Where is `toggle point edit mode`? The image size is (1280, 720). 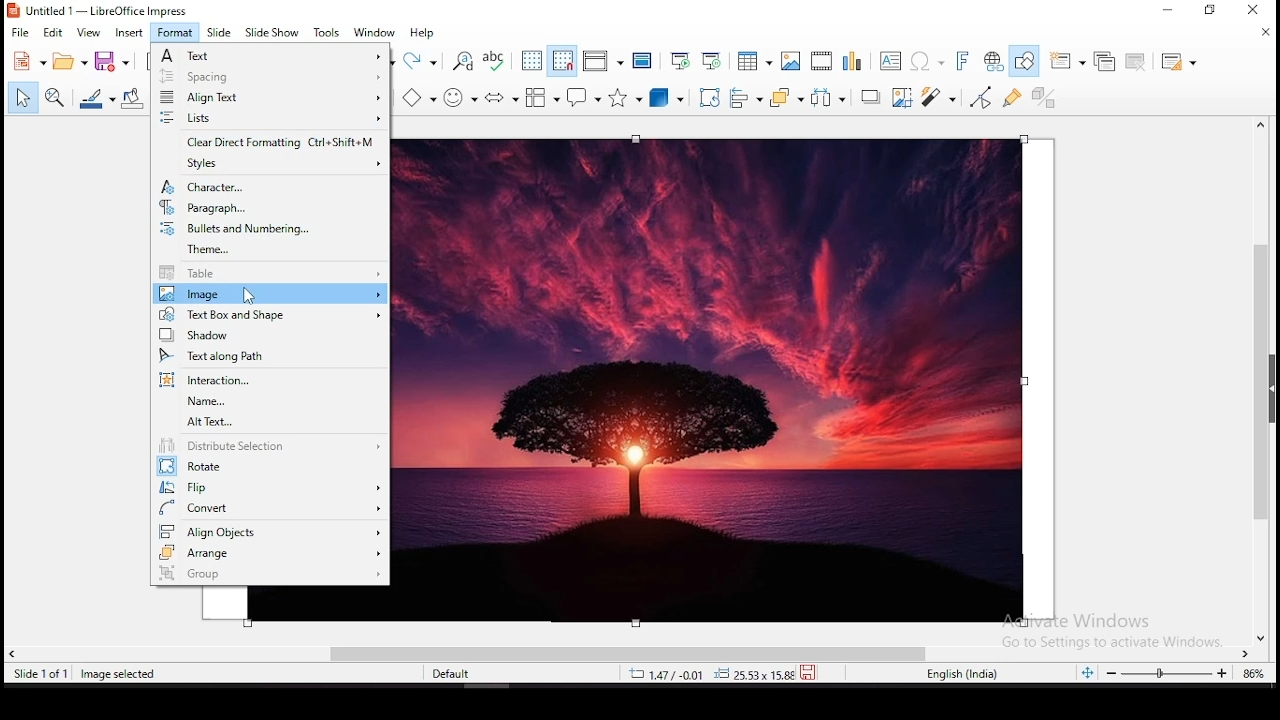
toggle point edit mode is located at coordinates (980, 97).